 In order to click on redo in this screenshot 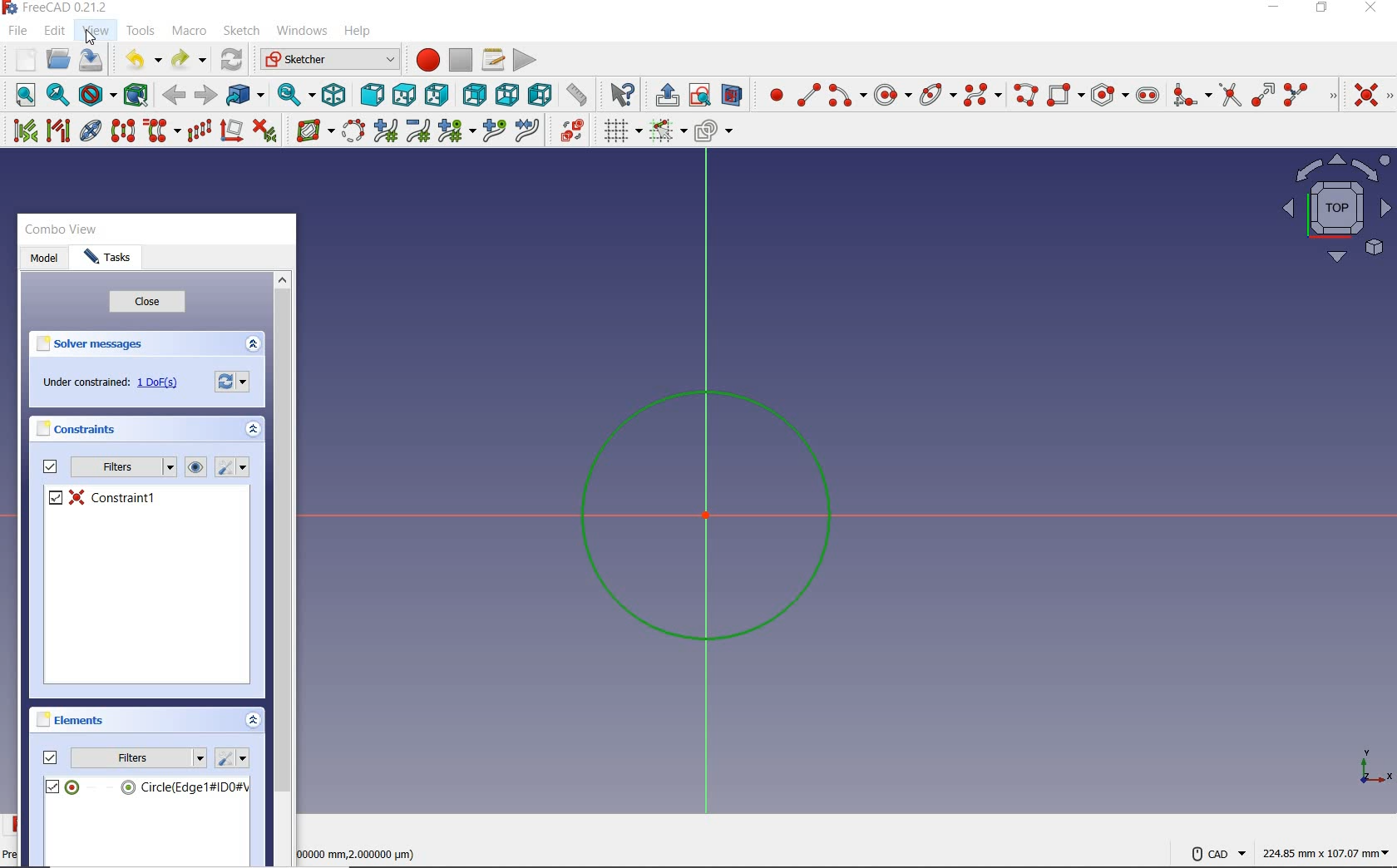, I will do `click(188, 60)`.